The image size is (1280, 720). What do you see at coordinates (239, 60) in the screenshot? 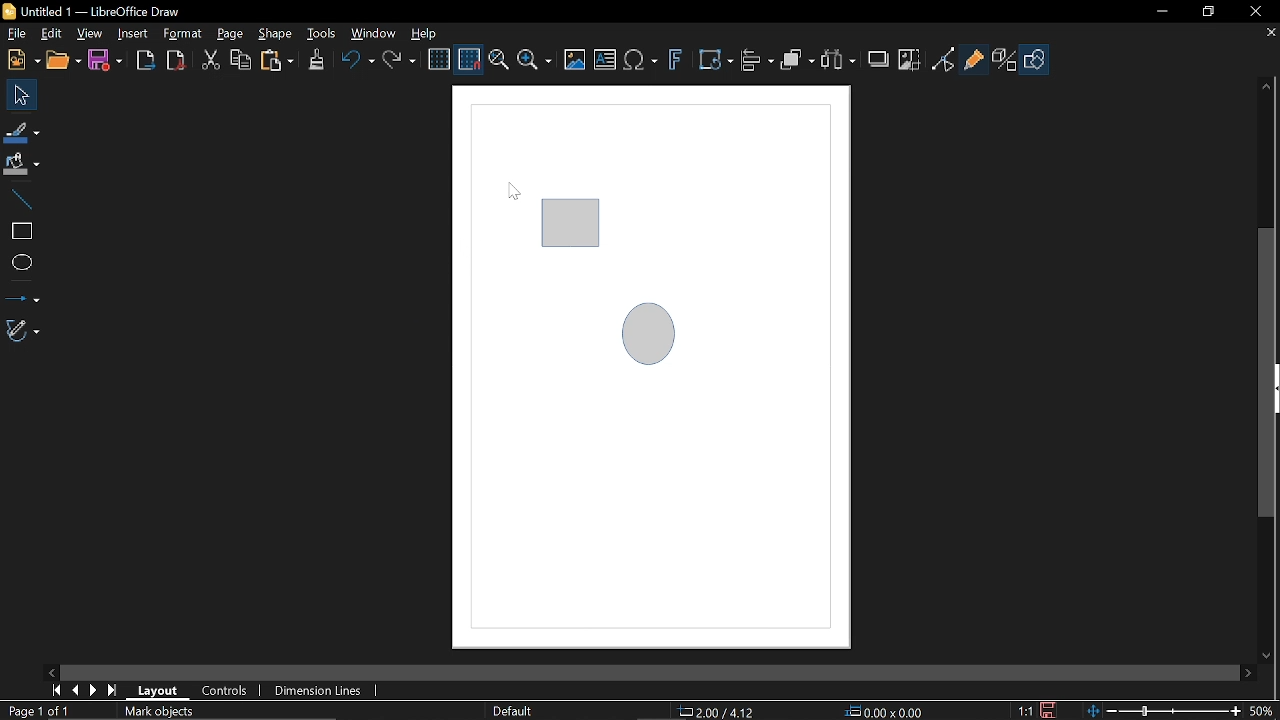
I see `Copy` at bounding box center [239, 60].